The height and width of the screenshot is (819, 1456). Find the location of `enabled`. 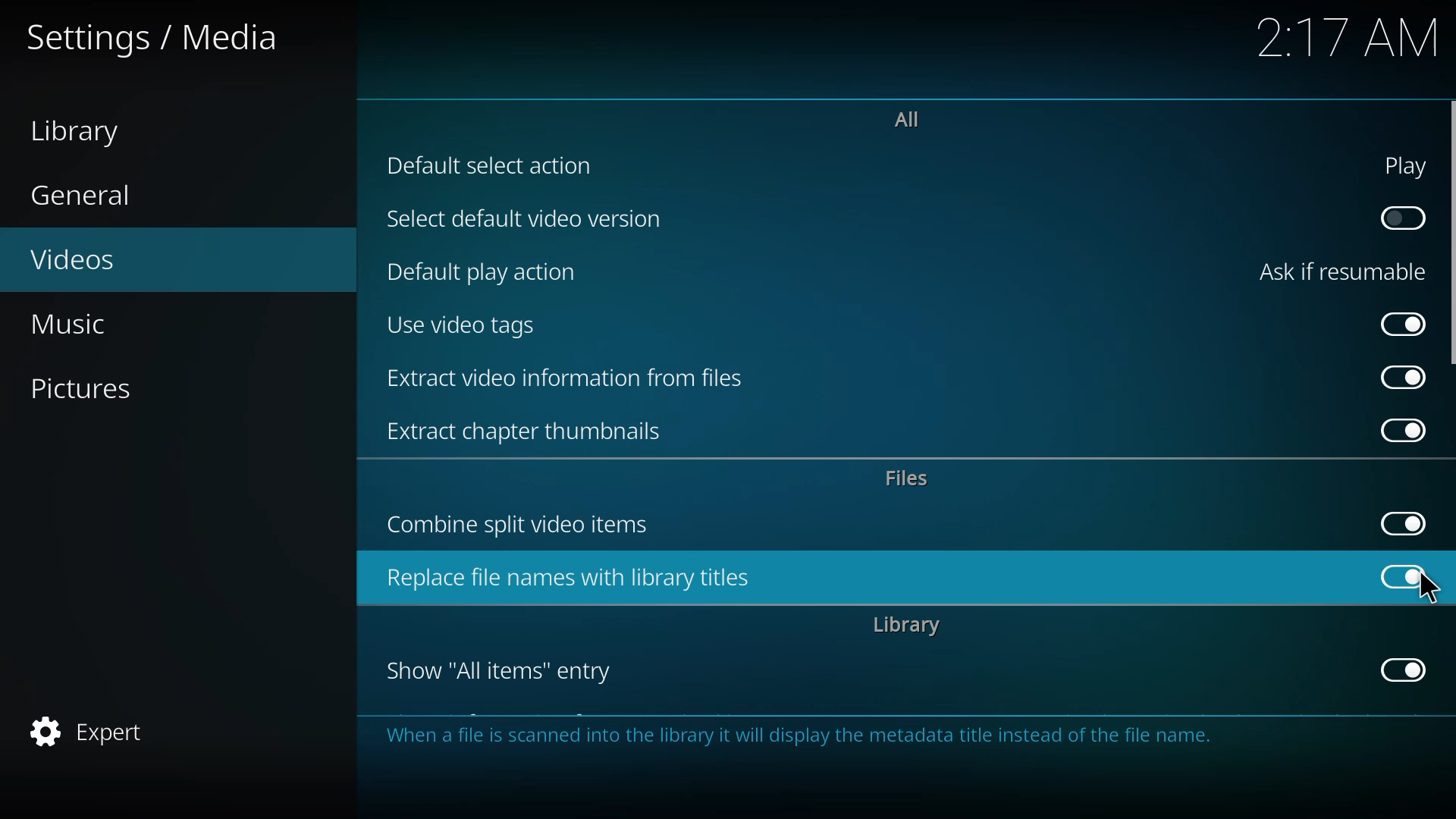

enabled is located at coordinates (1400, 431).